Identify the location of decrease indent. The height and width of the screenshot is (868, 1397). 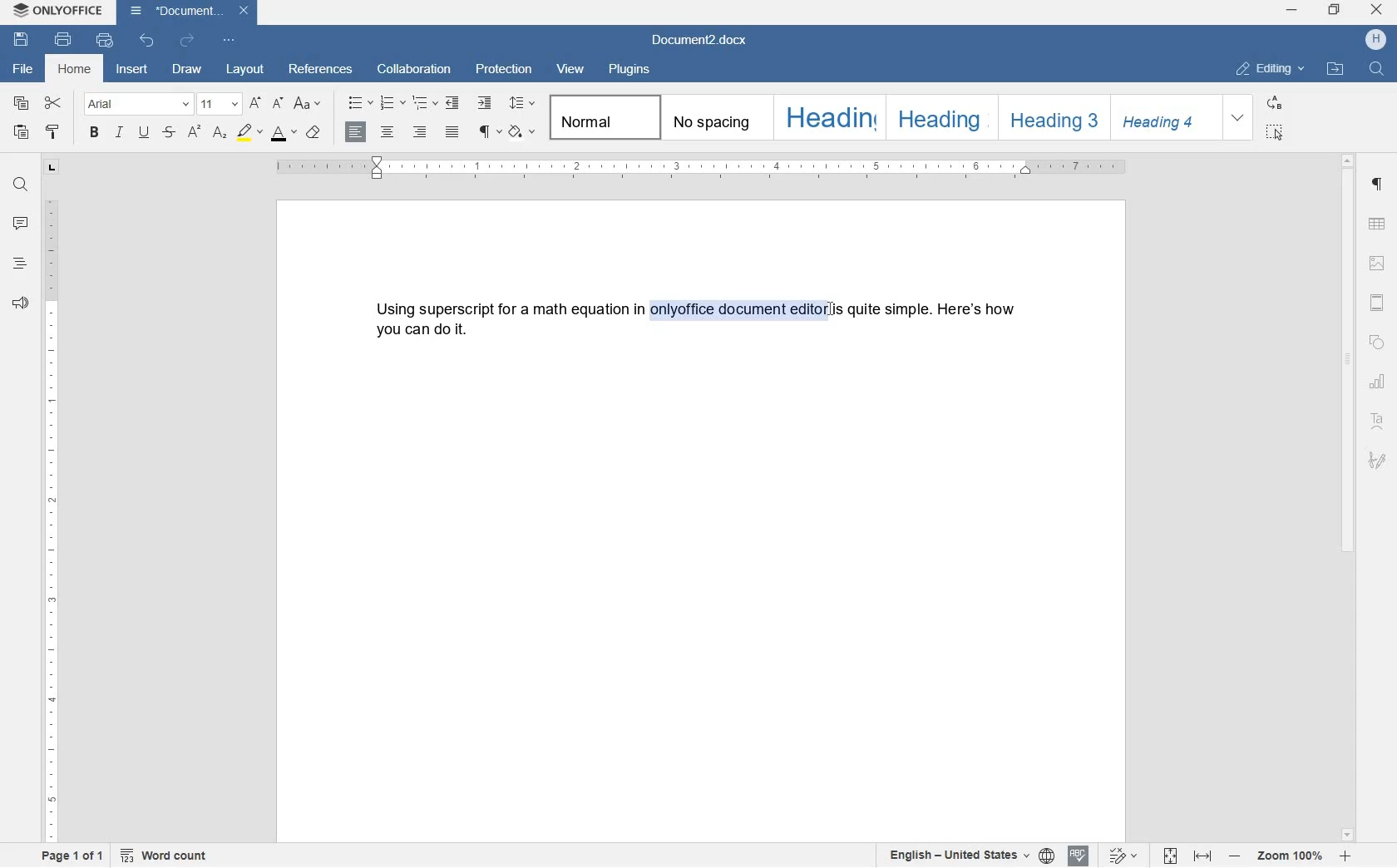
(453, 104).